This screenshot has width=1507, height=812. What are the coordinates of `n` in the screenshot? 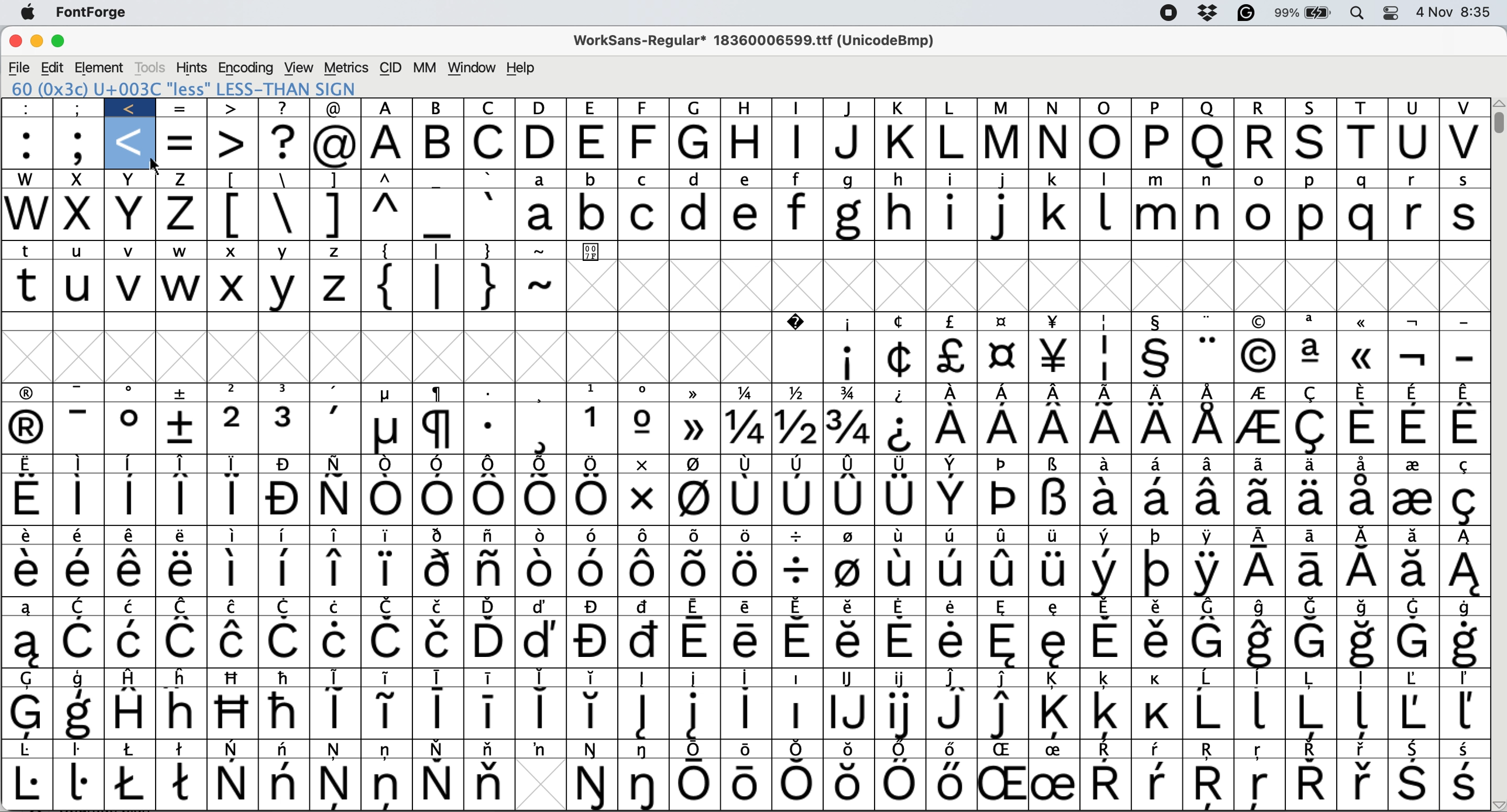 It's located at (1210, 215).